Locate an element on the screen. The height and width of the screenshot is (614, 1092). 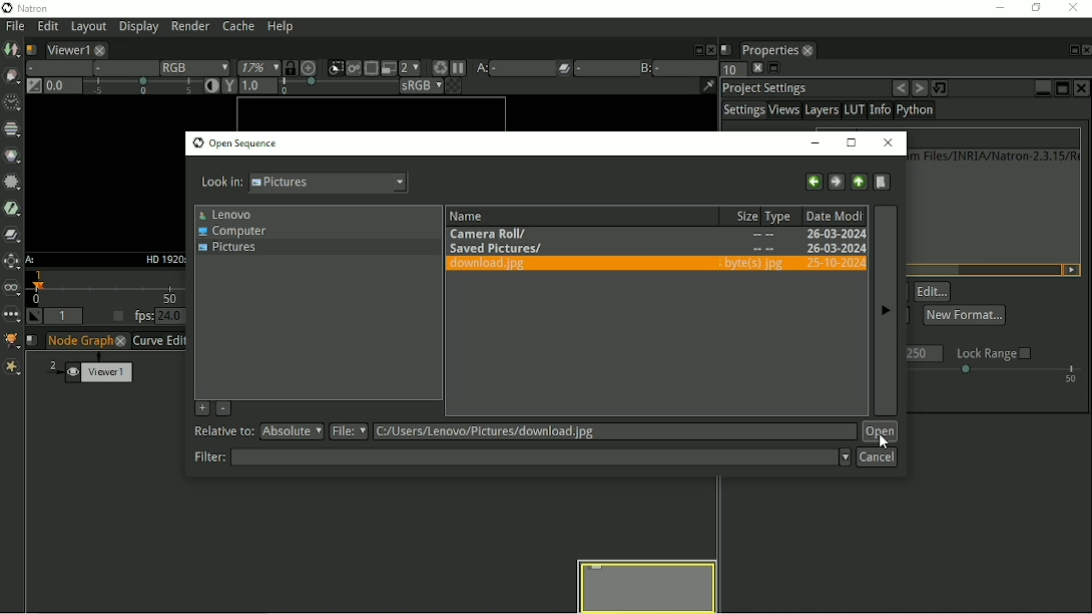
Synchronize is located at coordinates (289, 67).